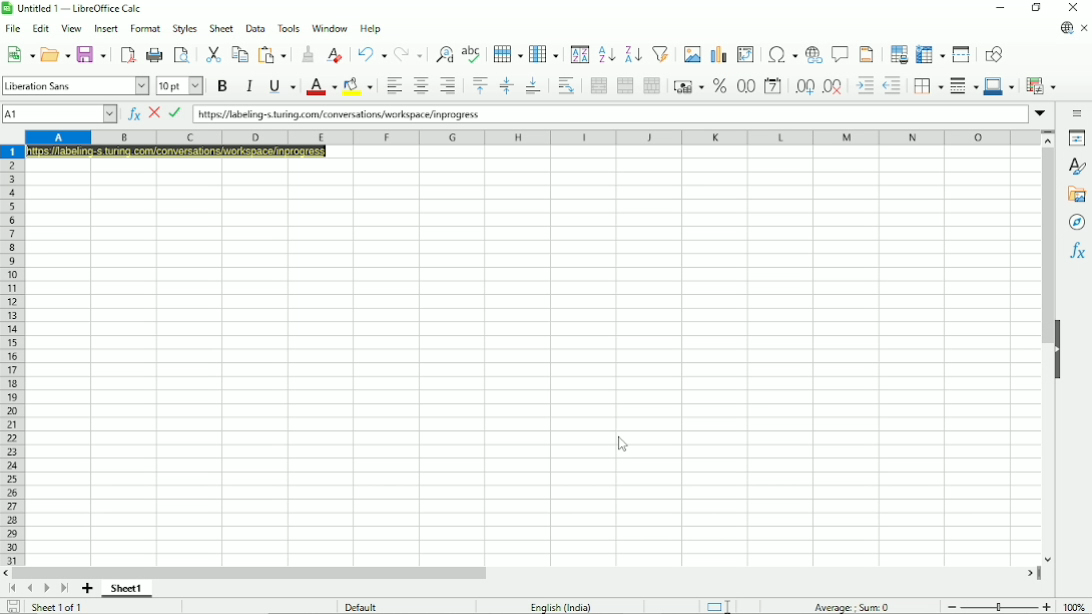 Image resolution: width=1092 pixels, height=614 pixels. I want to click on Tools, so click(289, 27).